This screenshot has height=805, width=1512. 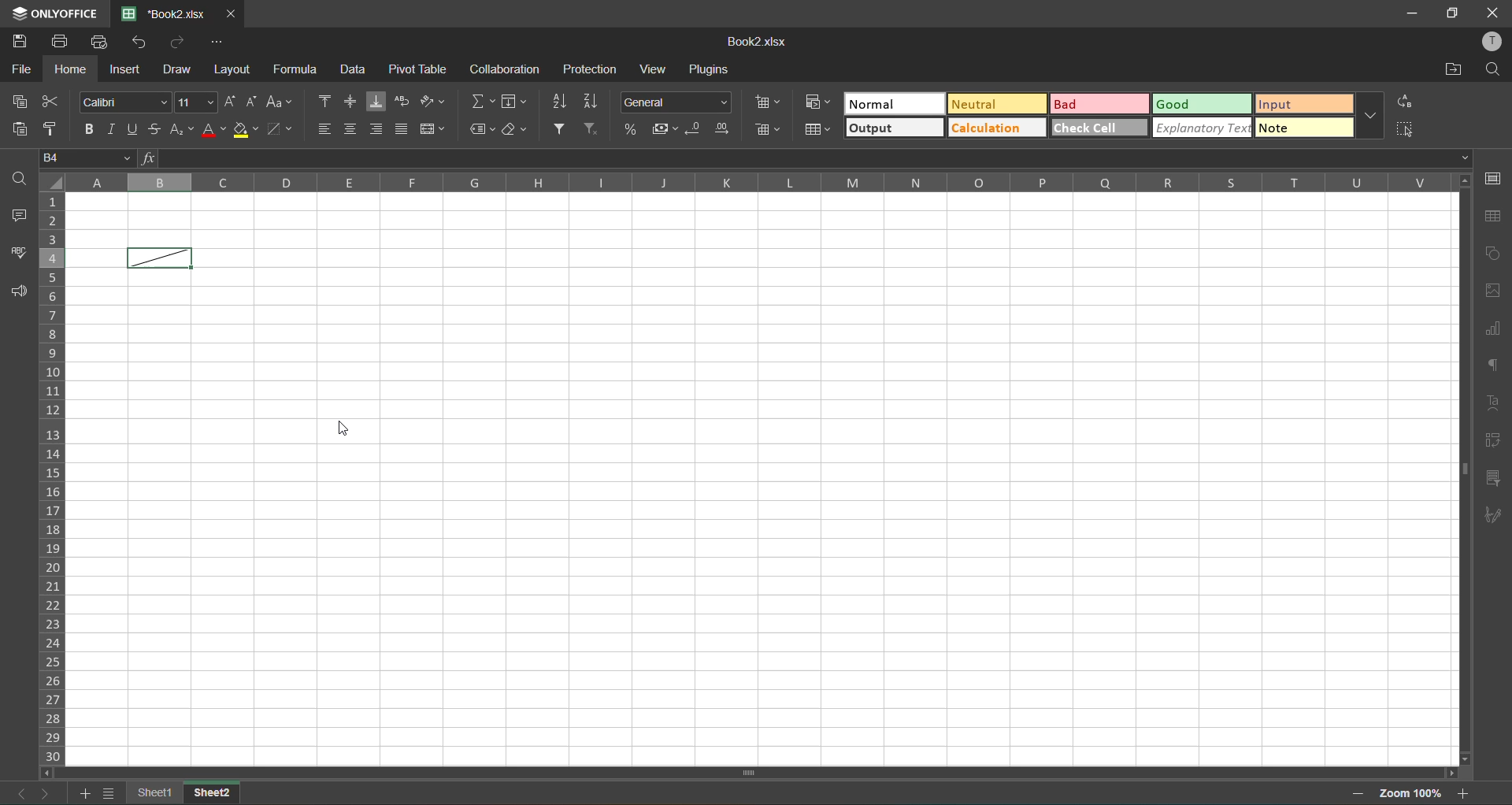 What do you see at coordinates (897, 128) in the screenshot?
I see `output` at bounding box center [897, 128].